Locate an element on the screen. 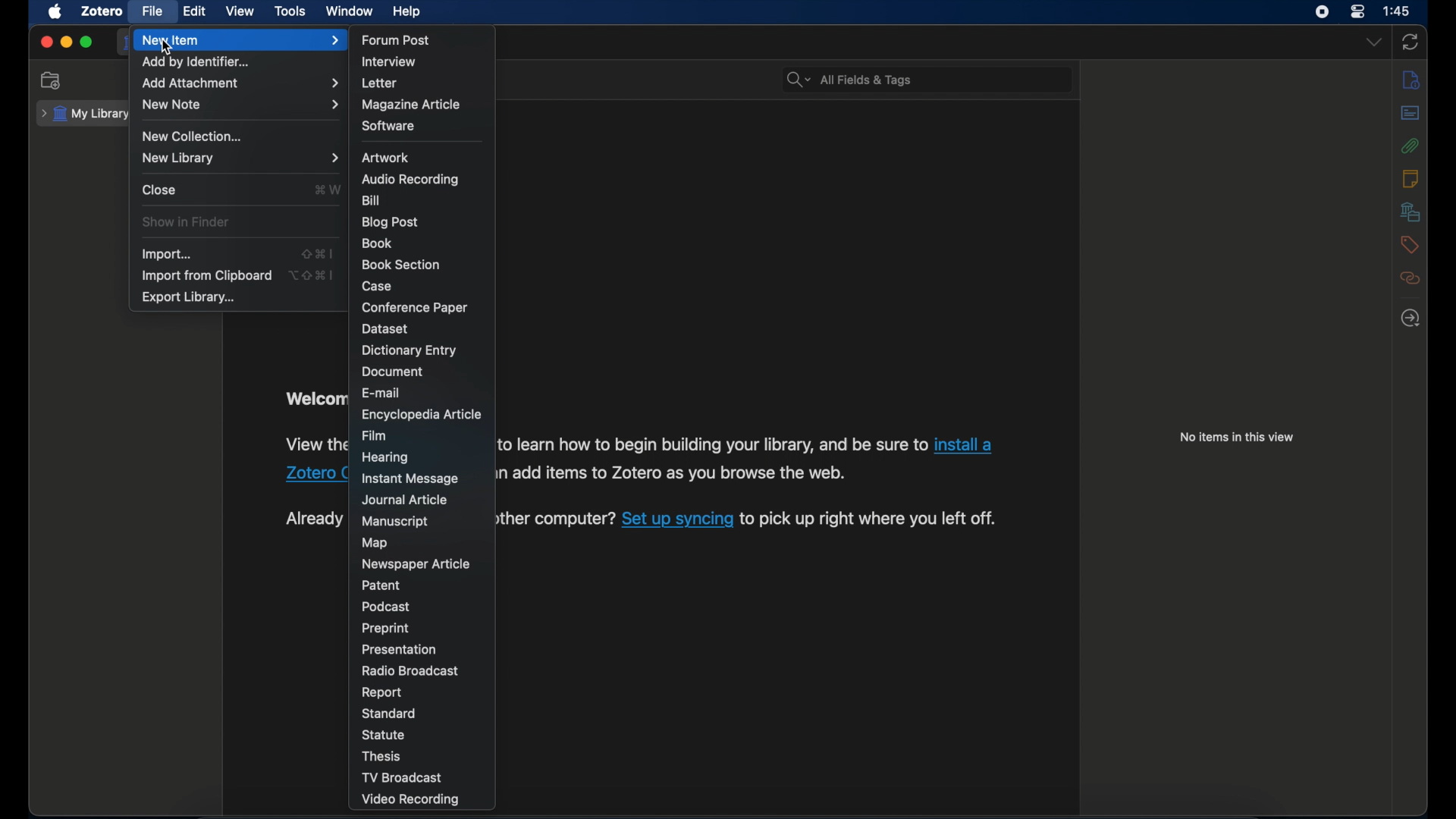 The height and width of the screenshot is (819, 1456). book section is located at coordinates (400, 265).